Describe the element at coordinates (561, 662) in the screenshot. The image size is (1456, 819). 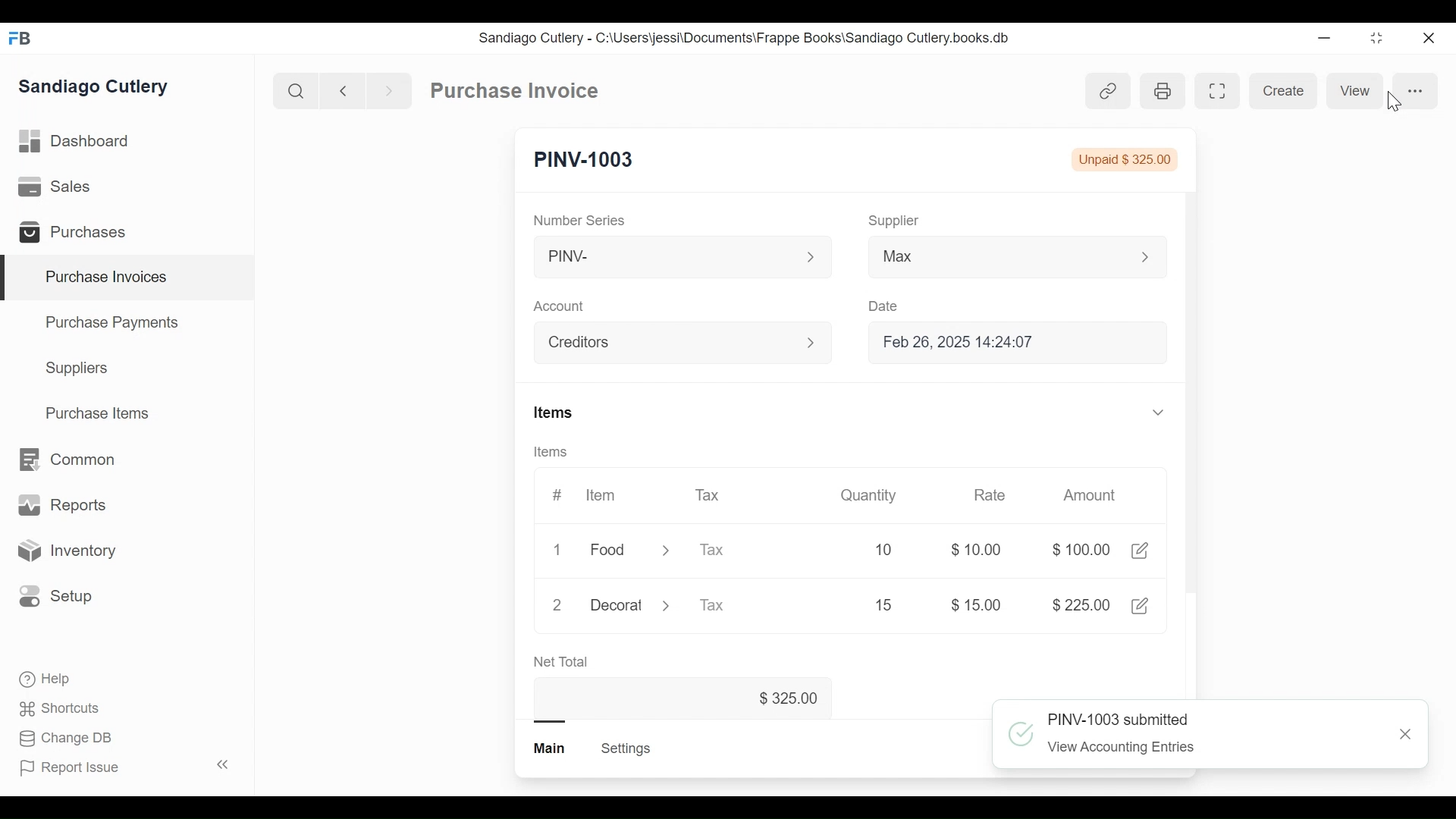
I see `Net Total` at that location.